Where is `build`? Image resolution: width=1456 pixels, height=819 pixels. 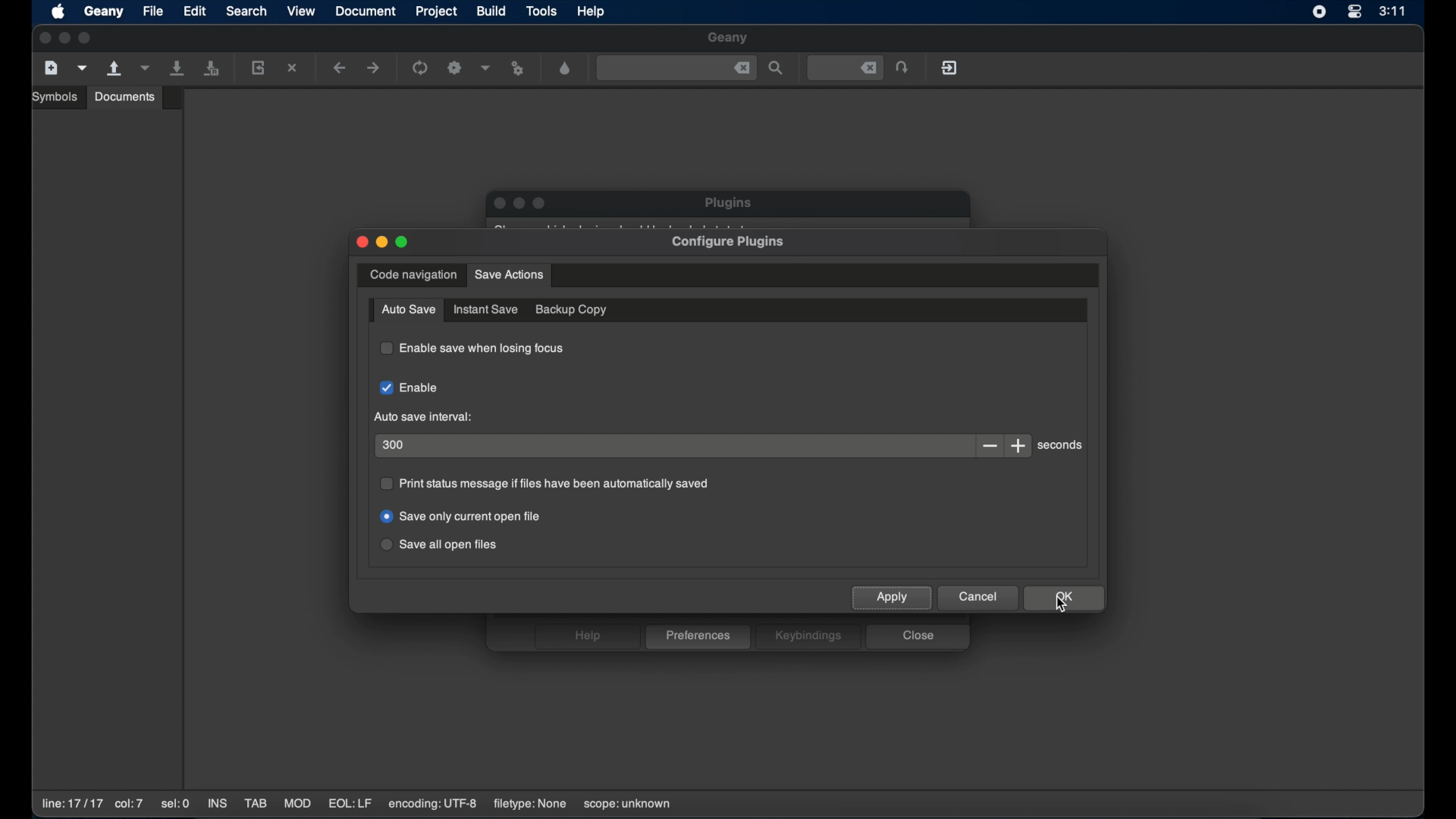
build is located at coordinates (492, 11).